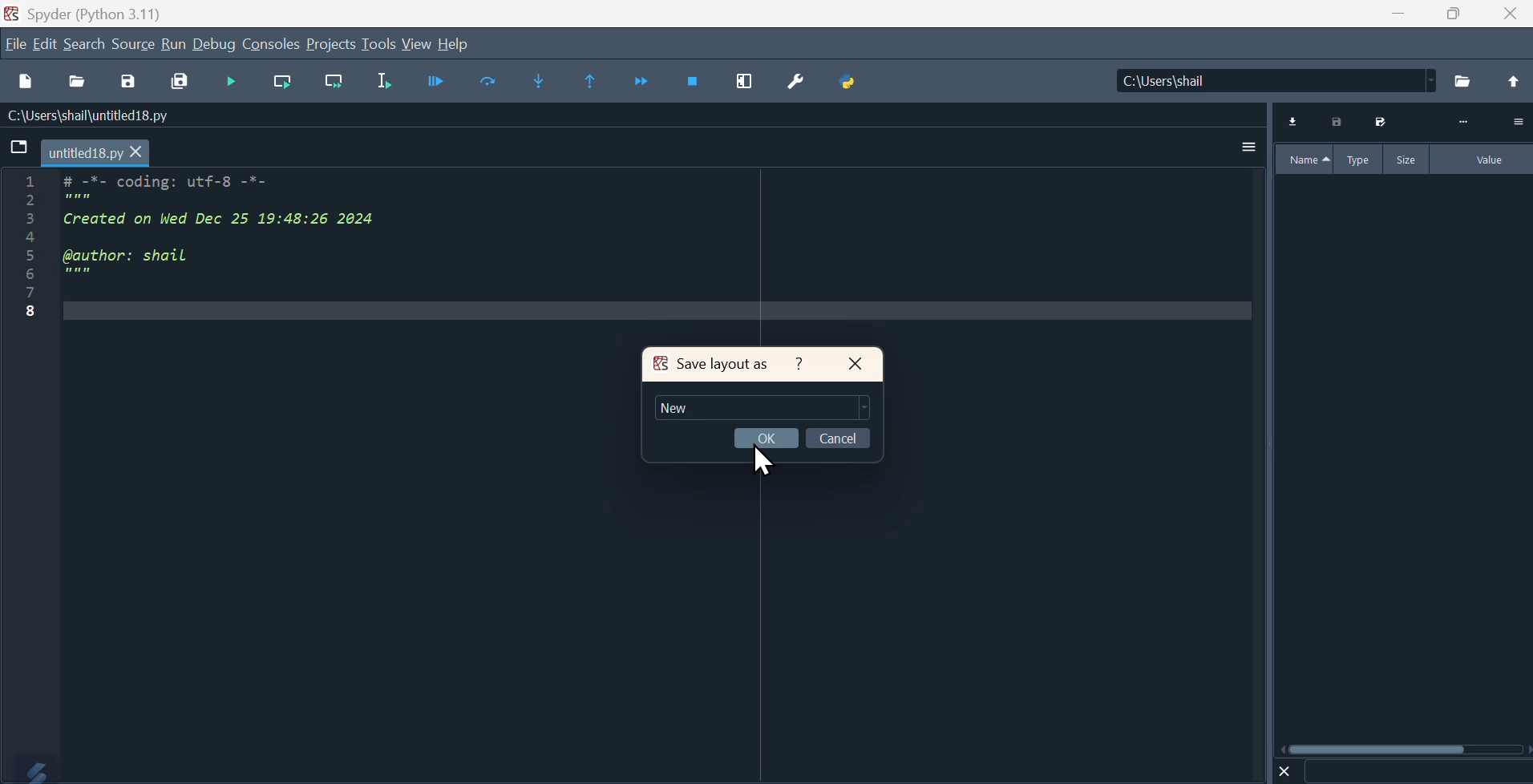 This screenshot has height=784, width=1533. Describe the element at coordinates (799, 364) in the screenshot. I see `Help` at that location.